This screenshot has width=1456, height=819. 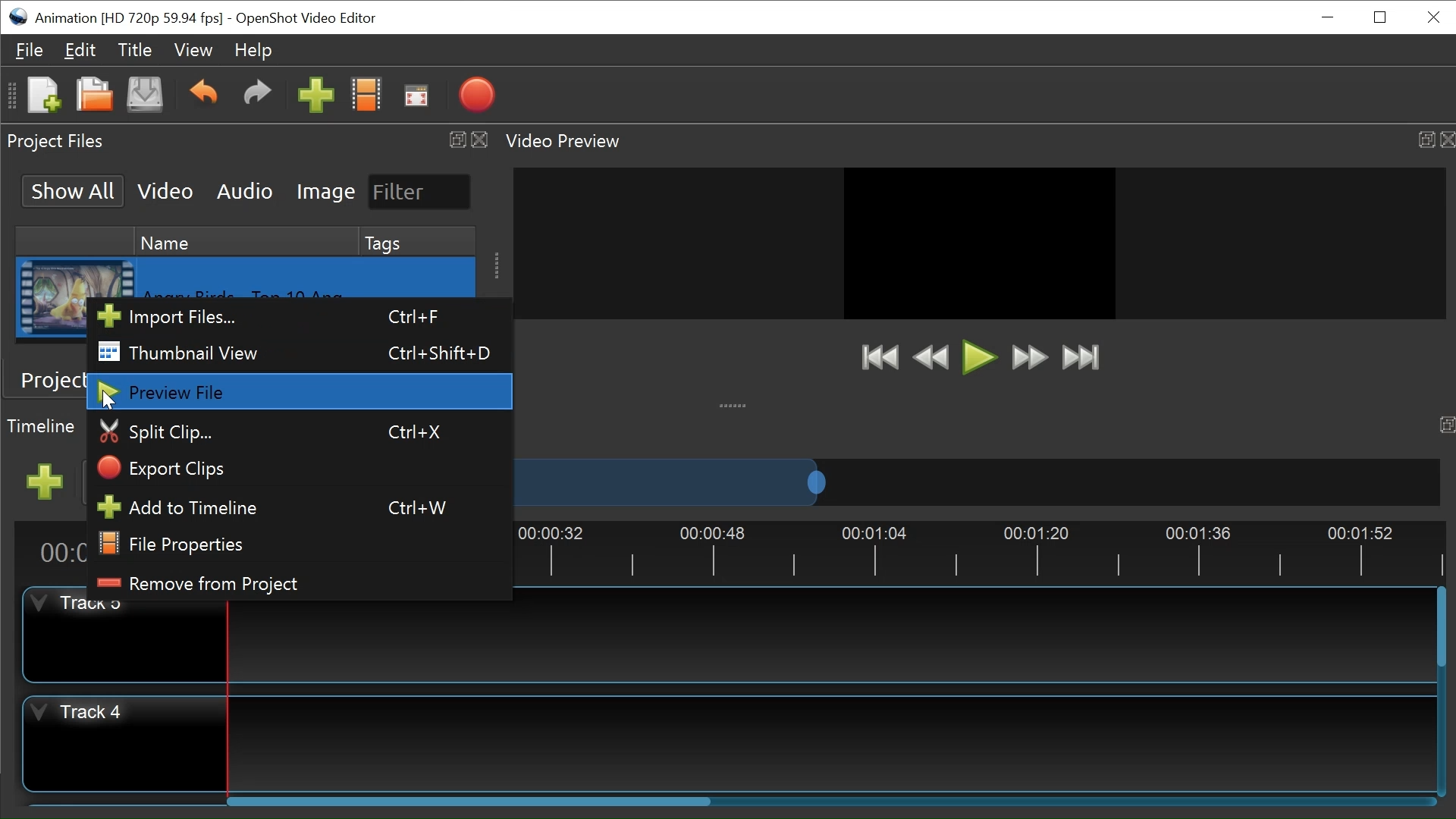 What do you see at coordinates (248, 242) in the screenshot?
I see `Name` at bounding box center [248, 242].